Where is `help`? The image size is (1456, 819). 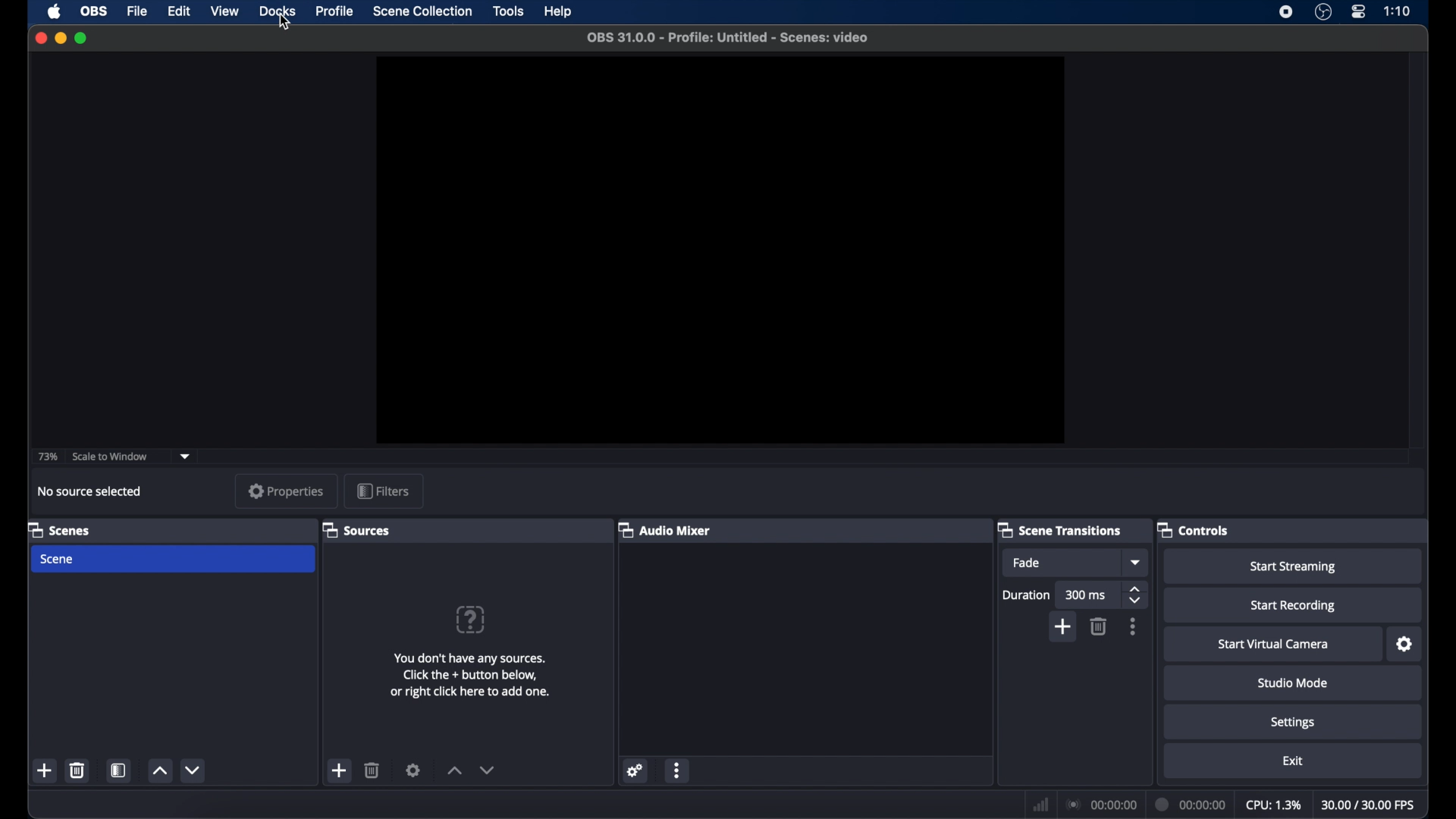
help is located at coordinates (559, 12).